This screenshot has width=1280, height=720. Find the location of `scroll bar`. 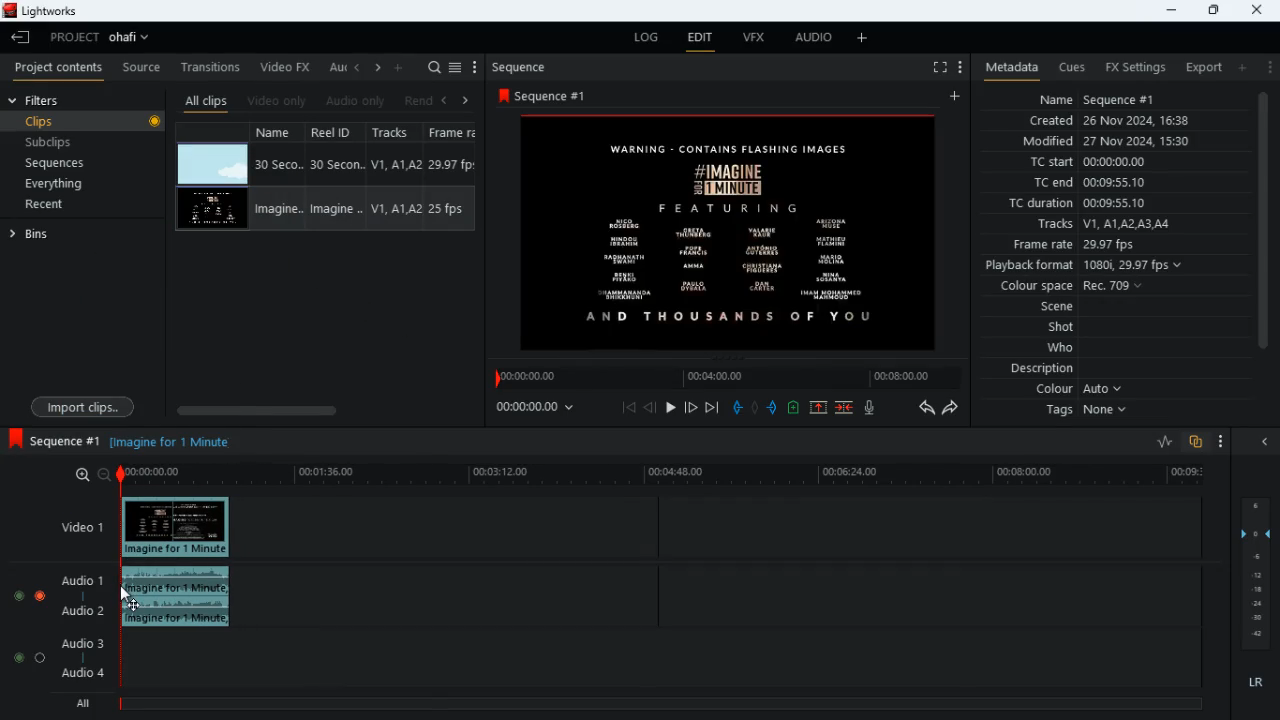

scroll bar is located at coordinates (321, 410).